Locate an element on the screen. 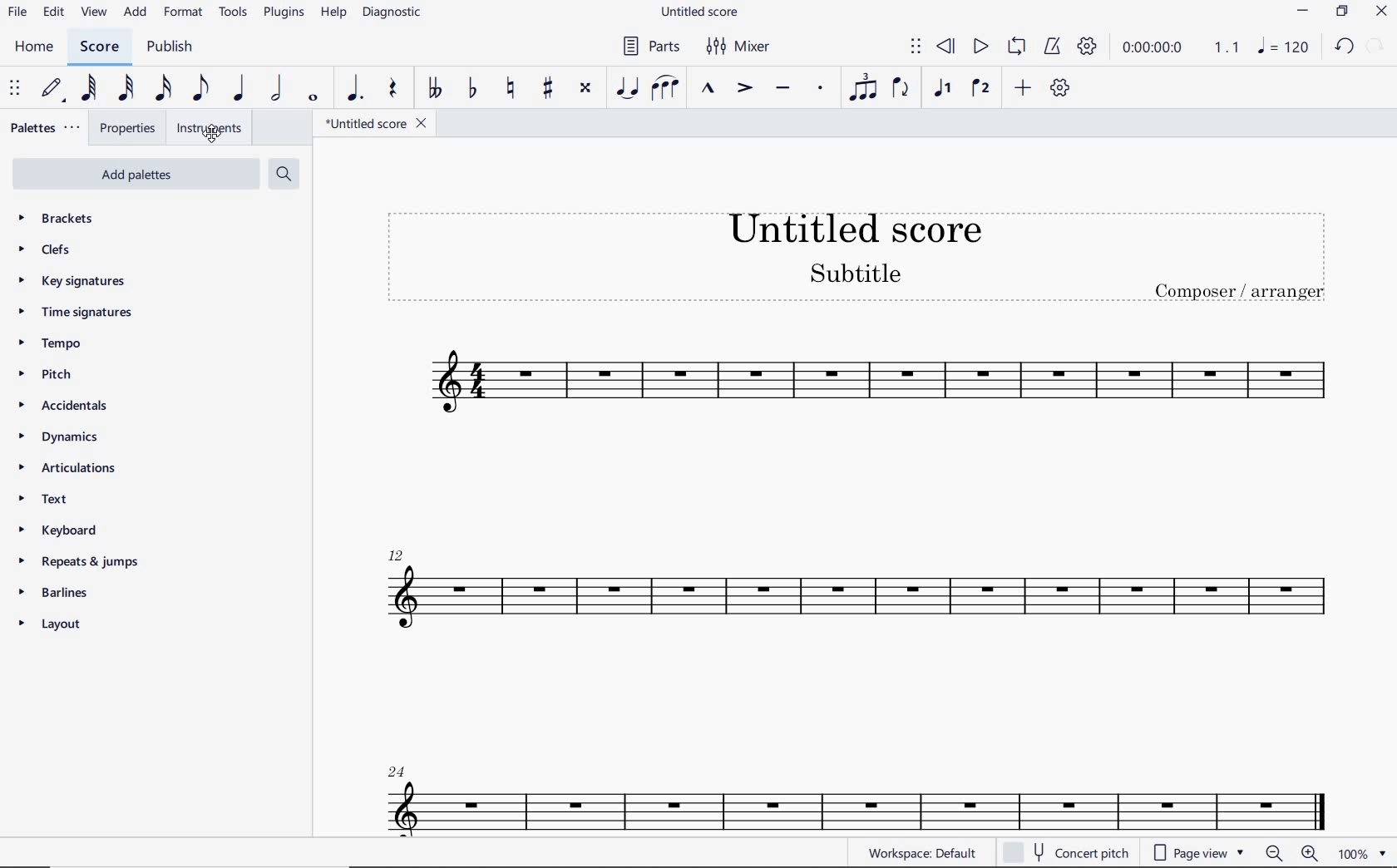 This screenshot has height=868, width=1397. barlines is located at coordinates (56, 594).